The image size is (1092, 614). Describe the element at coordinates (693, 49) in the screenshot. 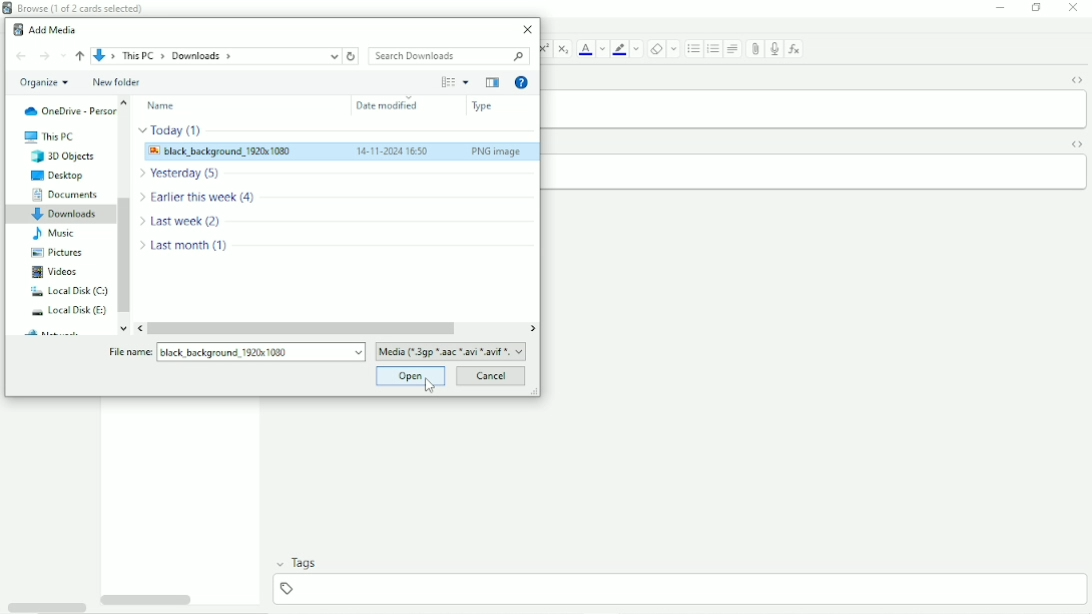

I see `Ordered list` at that location.